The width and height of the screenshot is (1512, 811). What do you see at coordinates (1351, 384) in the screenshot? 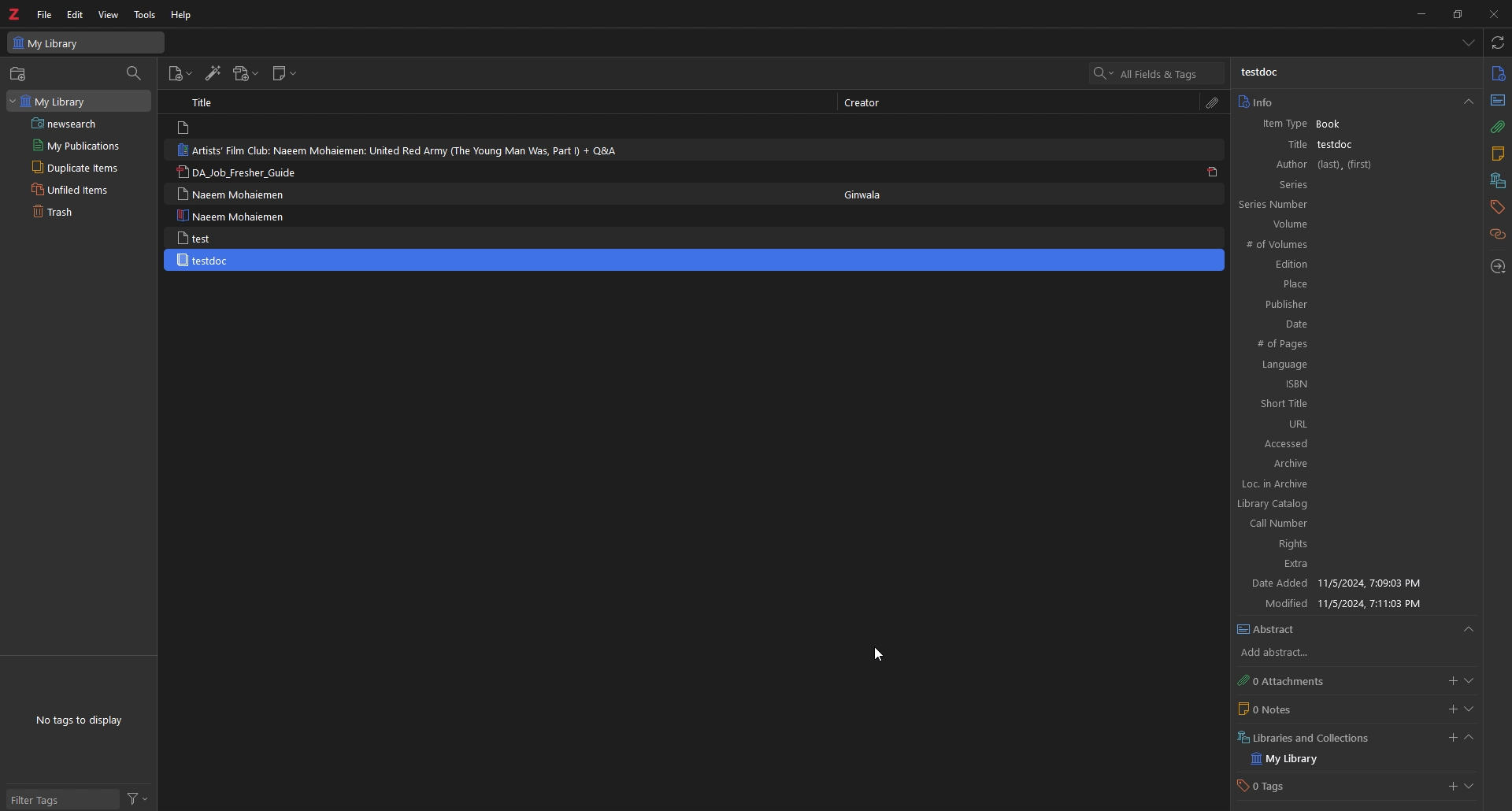
I see `ISBN` at bounding box center [1351, 384].